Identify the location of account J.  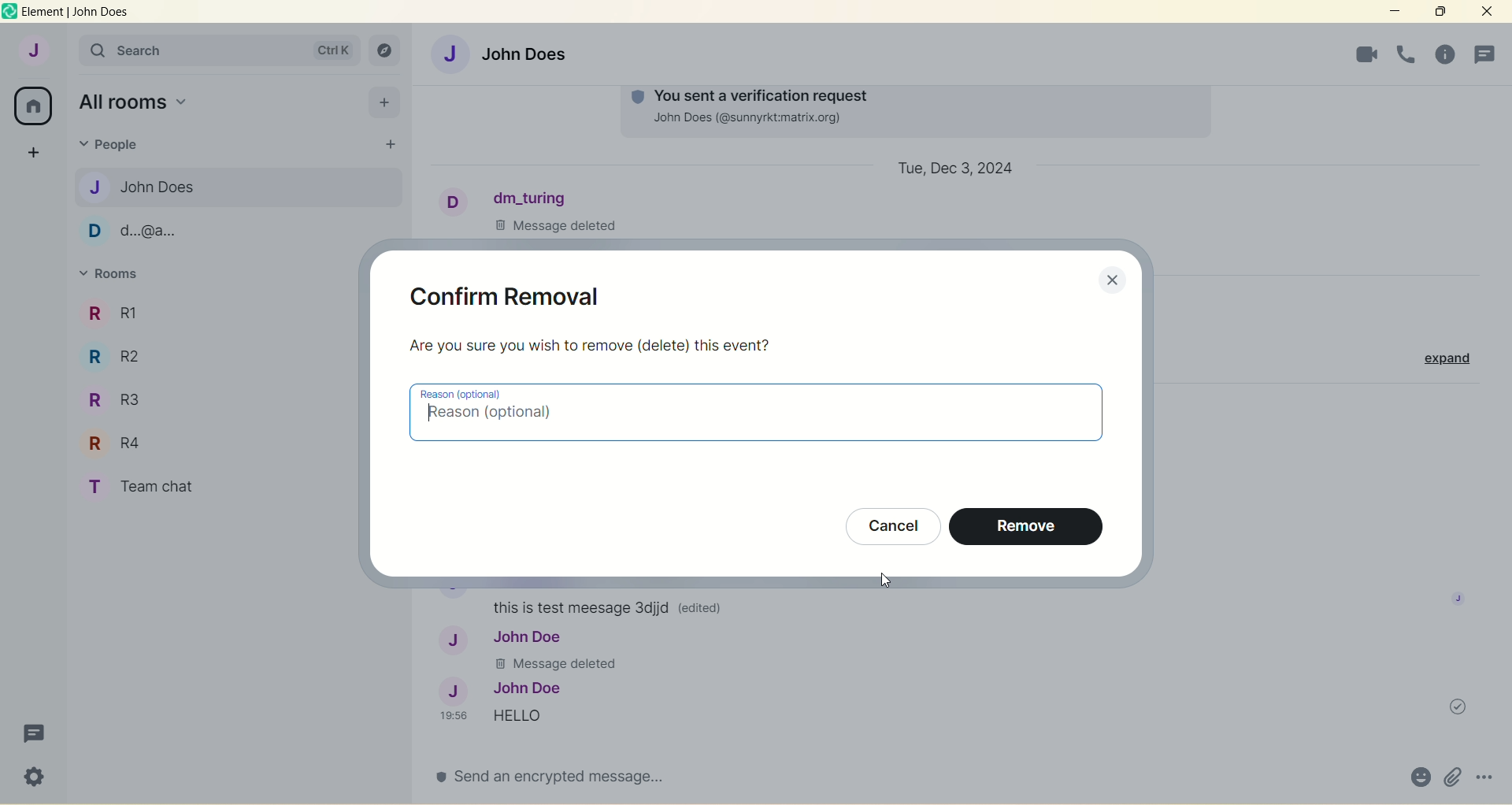
(31, 51).